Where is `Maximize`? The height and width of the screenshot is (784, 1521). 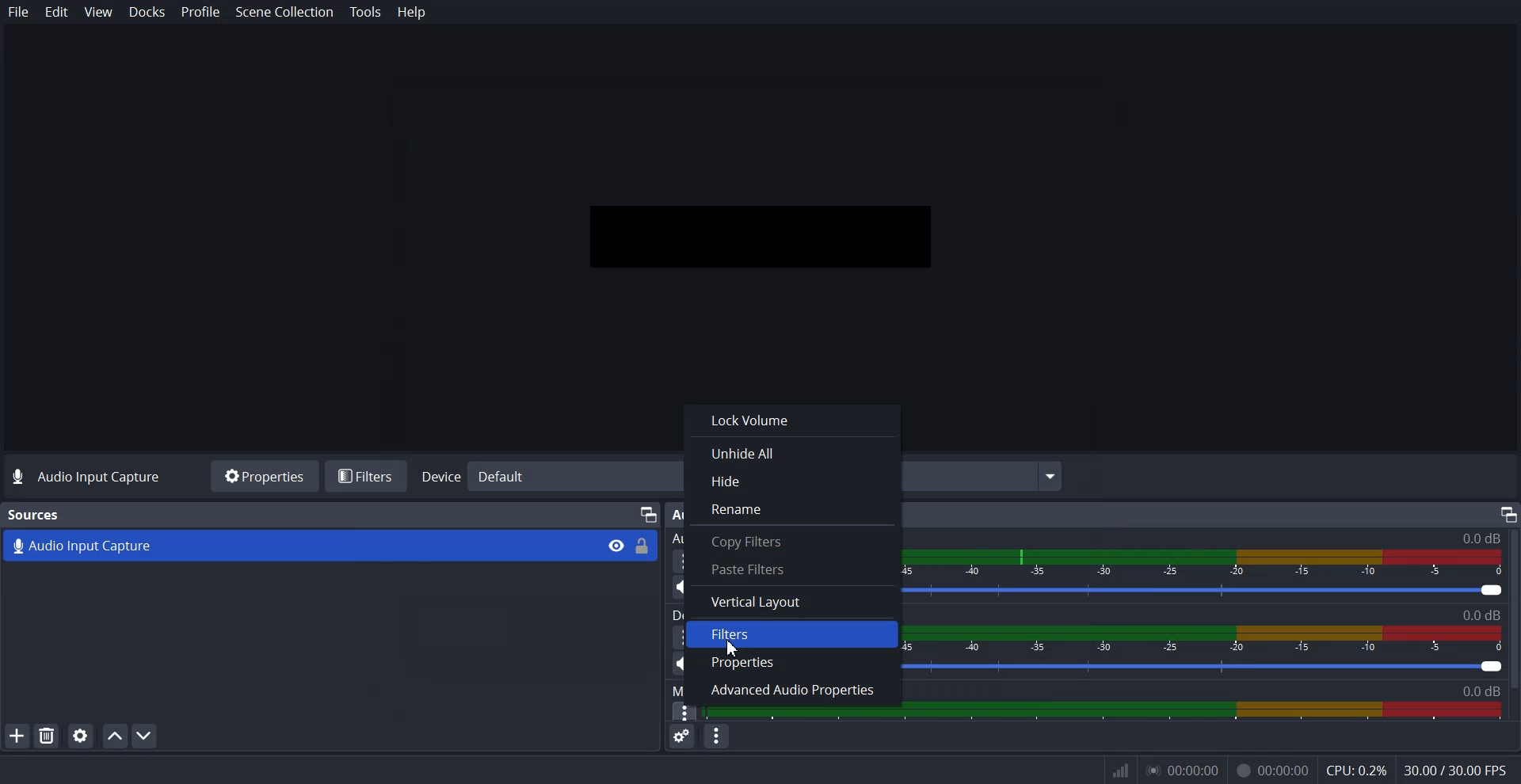 Maximize is located at coordinates (1508, 514).